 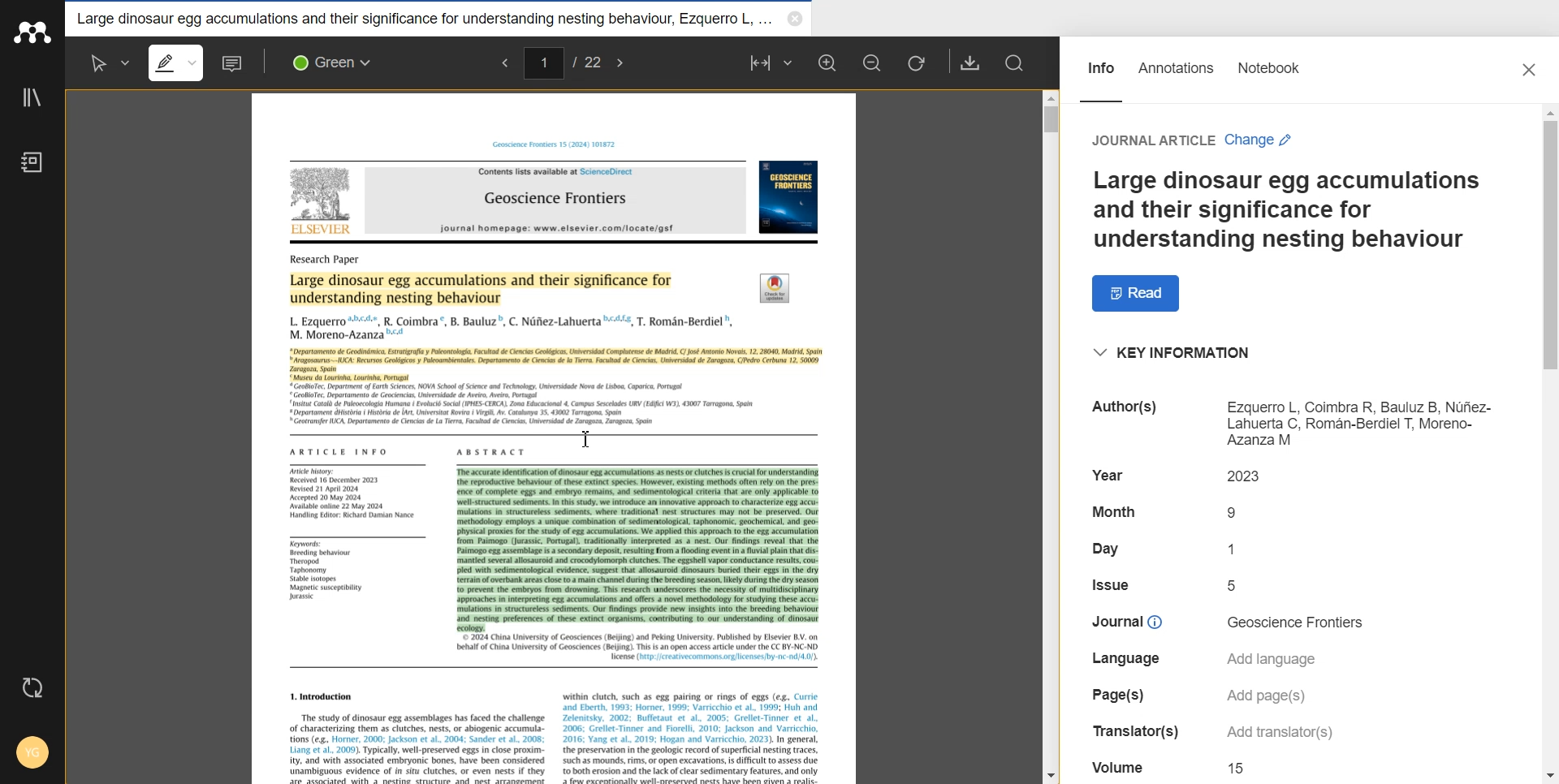 What do you see at coordinates (795, 20) in the screenshot?
I see `Close folder` at bounding box center [795, 20].